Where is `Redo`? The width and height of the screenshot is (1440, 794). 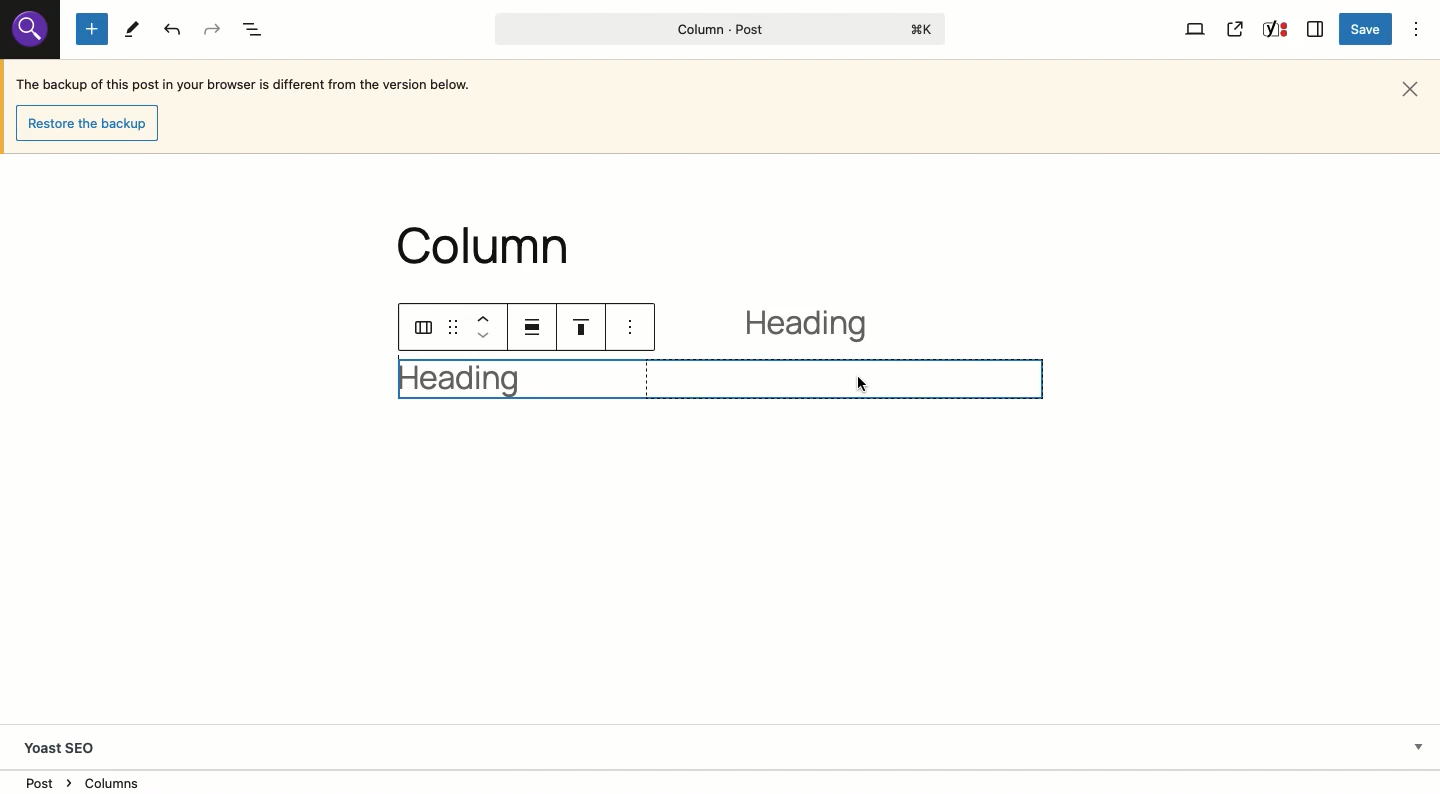 Redo is located at coordinates (213, 30).